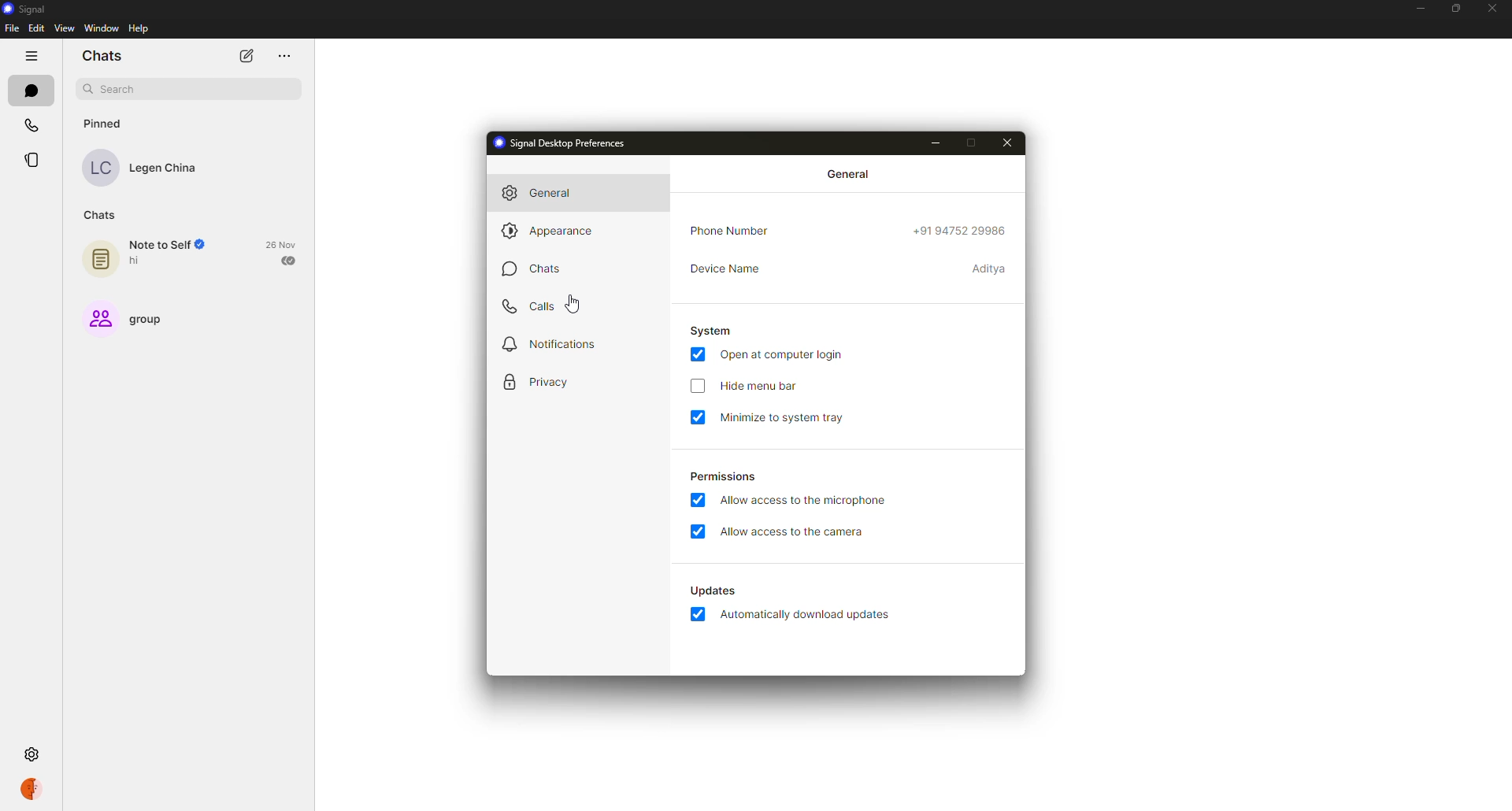  What do you see at coordinates (802, 417) in the screenshot?
I see `minimize to system tray` at bounding box center [802, 417].